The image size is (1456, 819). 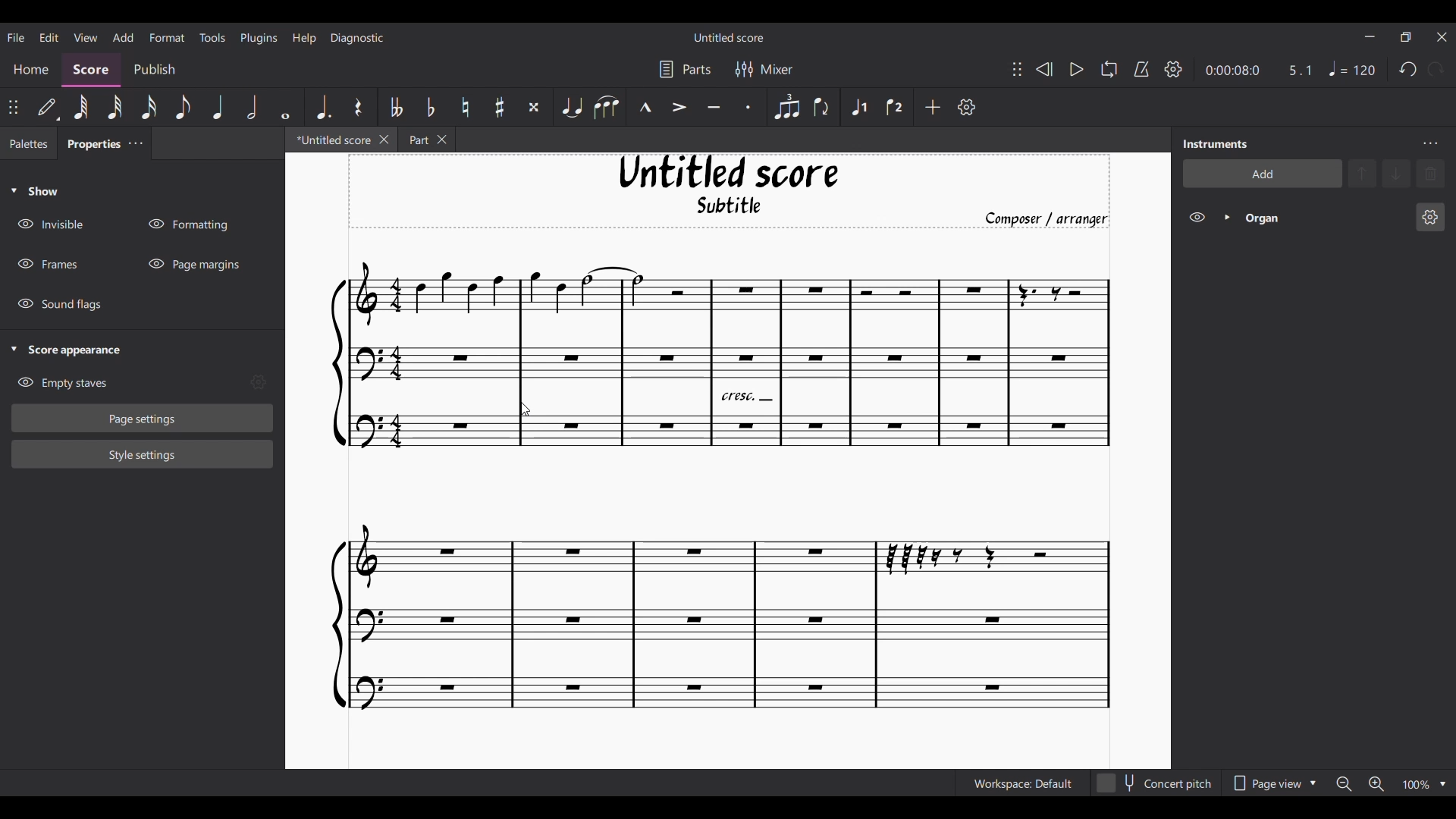 I want to click on 32nd note, so click(x=116, y=108).